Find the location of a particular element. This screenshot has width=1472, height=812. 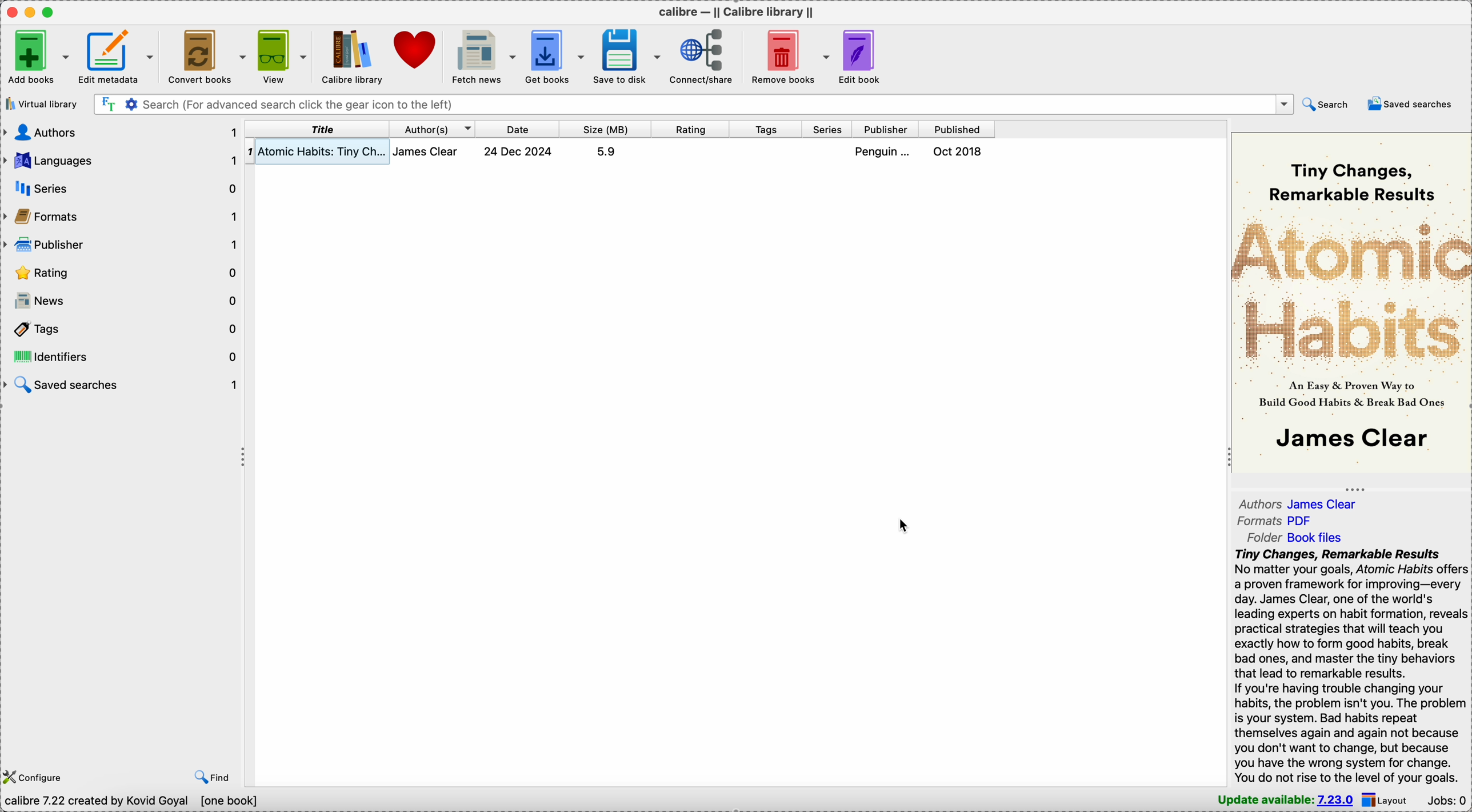

formats PDF is located at coordinates (1275, 522).